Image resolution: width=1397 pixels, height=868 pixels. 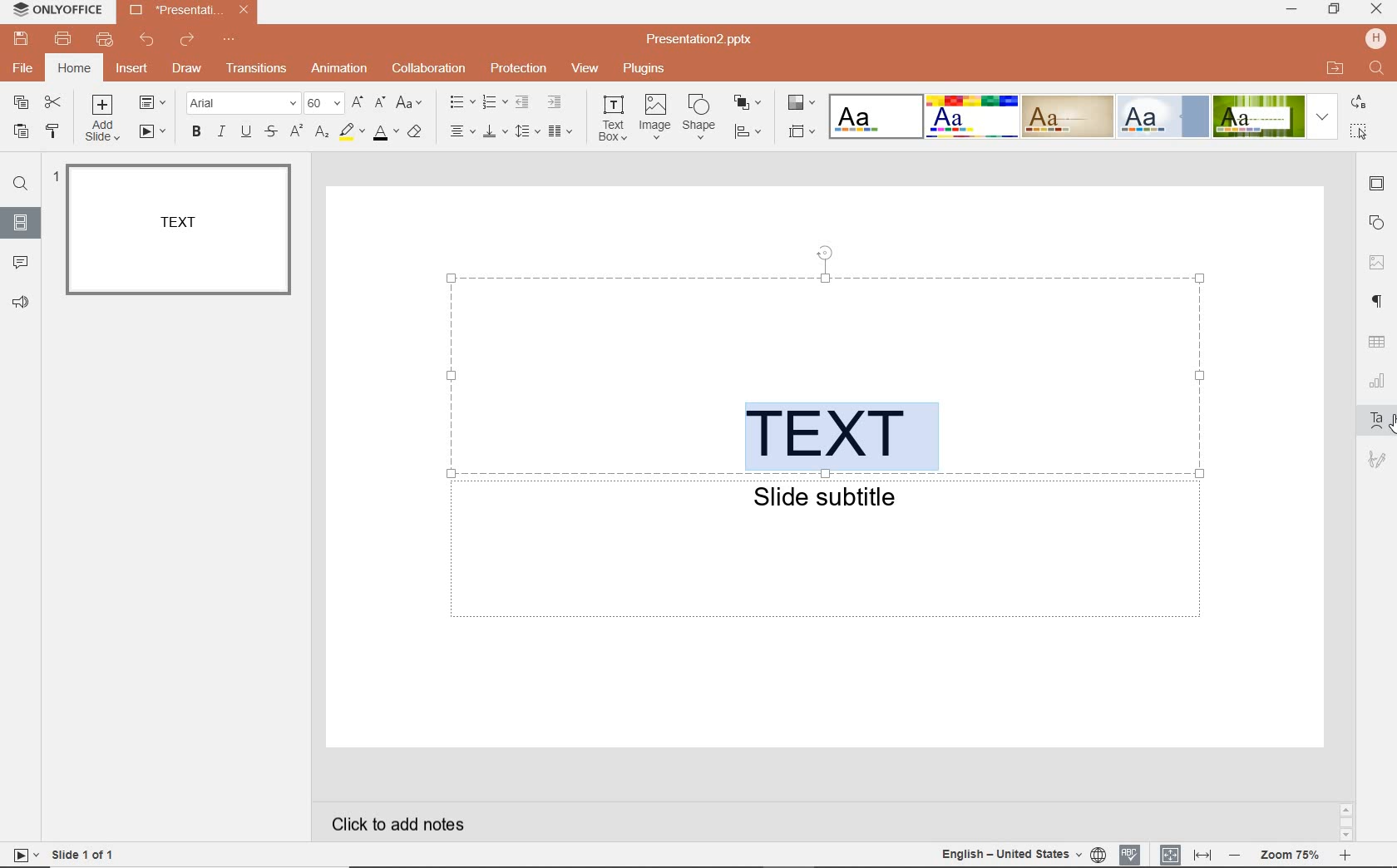 I want to click on DECREASE INDENT, so click(x=522, y=104).